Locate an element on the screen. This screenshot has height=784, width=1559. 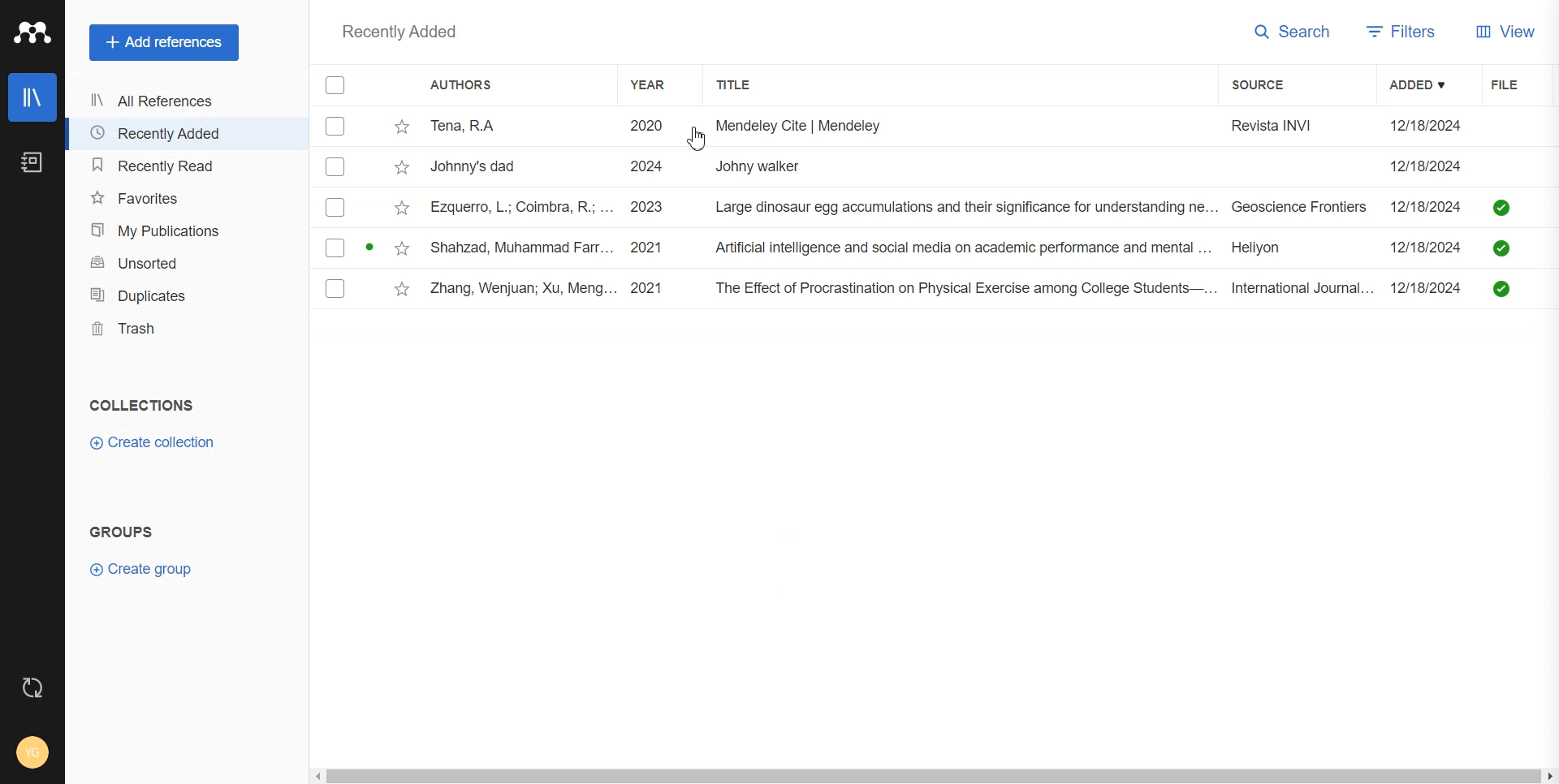
Checkbox is located at coordinates (336, 126).